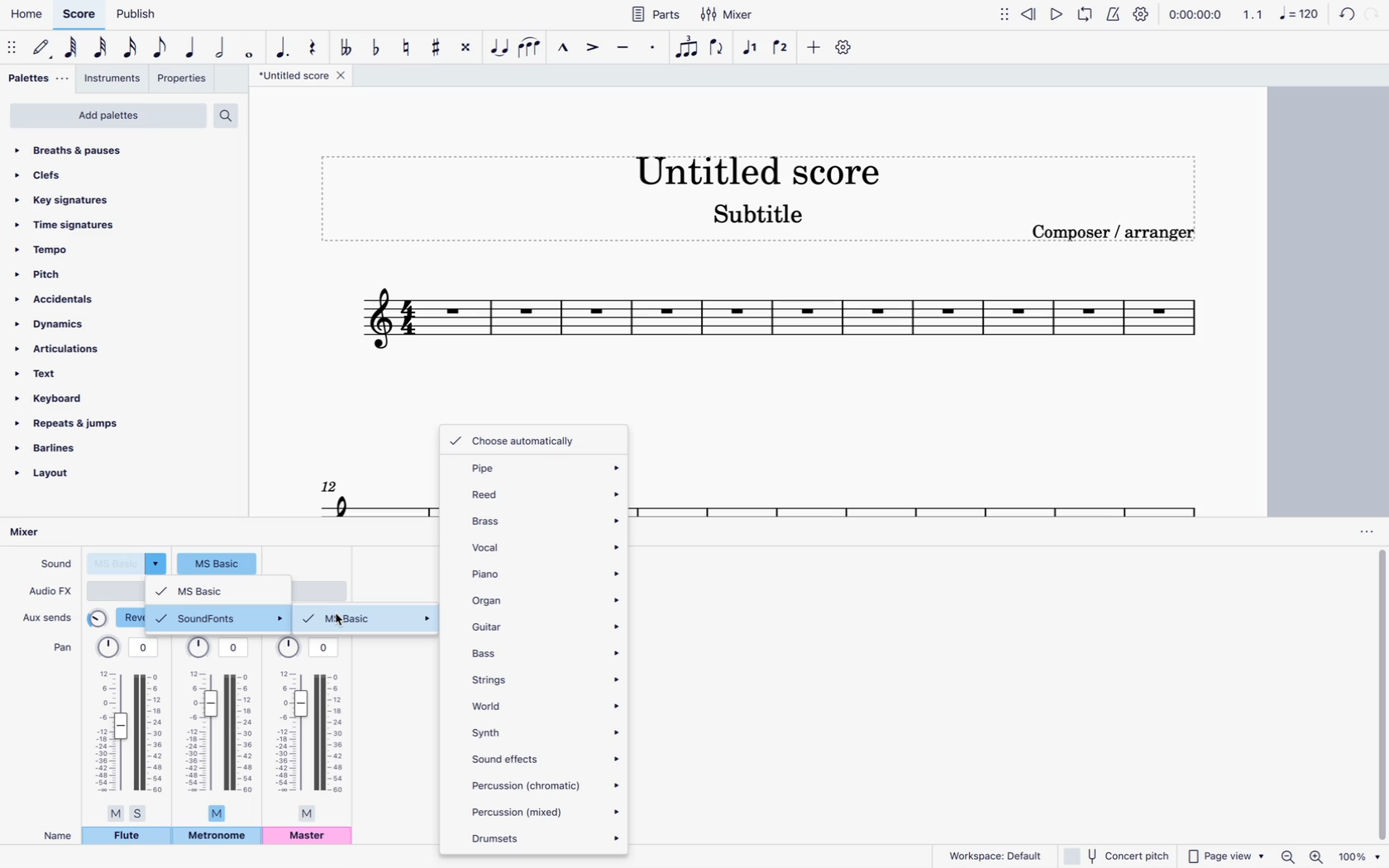 This screenshot has width=1389, height=868. Describe the element at coordinates (371, 495) in the screenshot. I see `scale` at that location.